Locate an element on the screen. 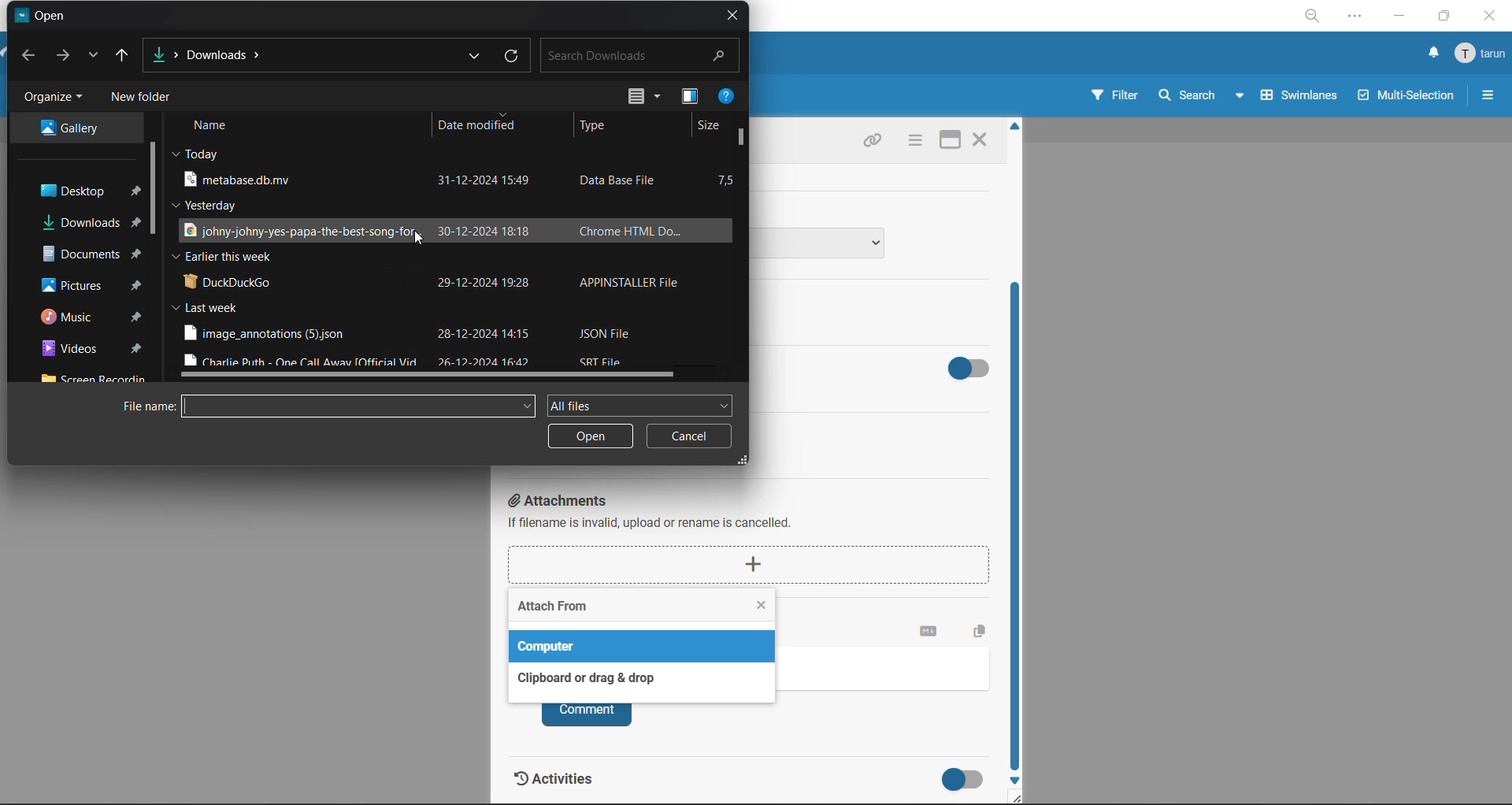 This screenshot has height=805, width=1512. cancel is located at coordinates (689, 440).